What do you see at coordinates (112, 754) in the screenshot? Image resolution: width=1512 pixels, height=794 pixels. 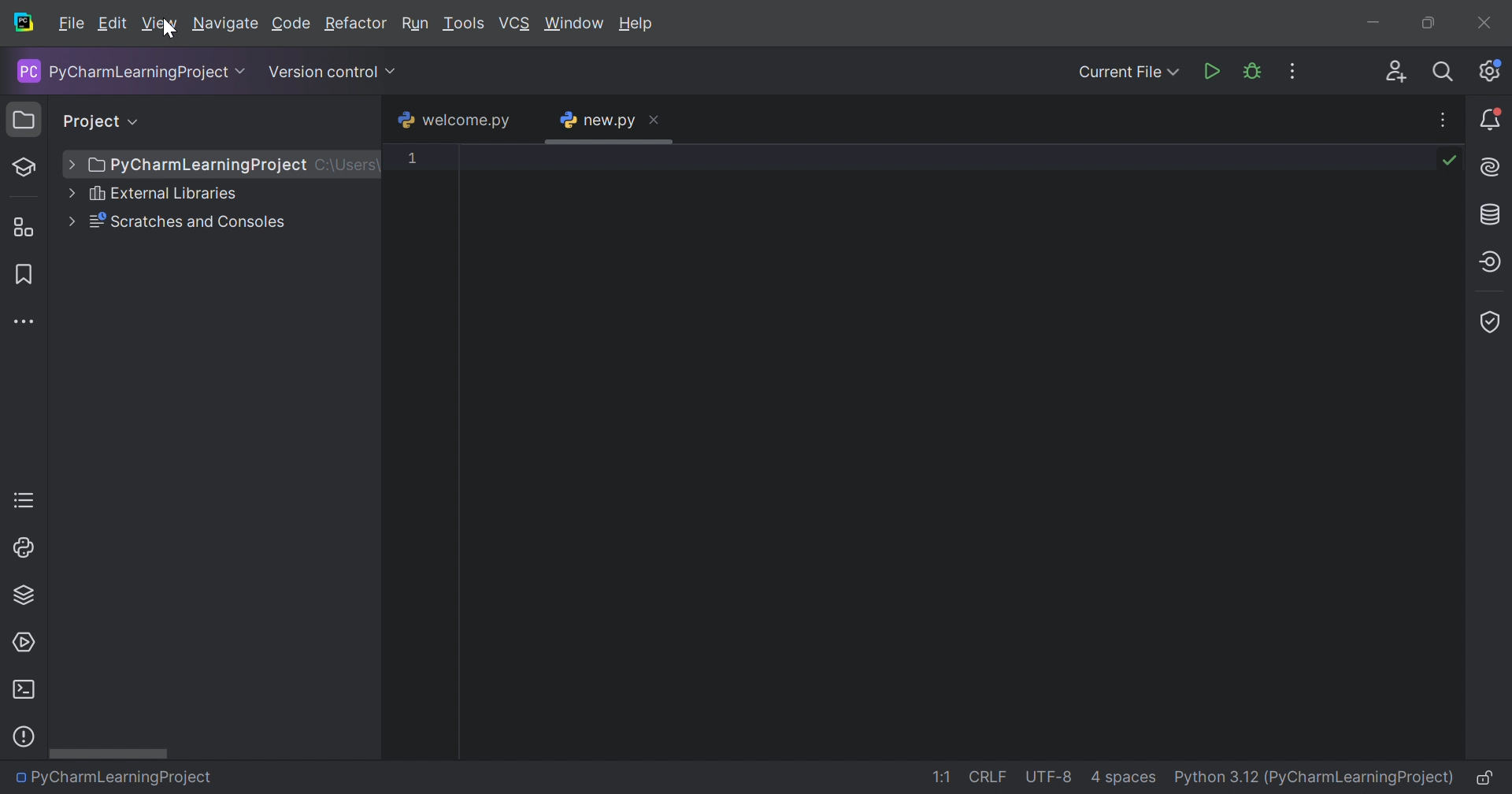 I see `Scroll bar` at bounding box center [112, 754].